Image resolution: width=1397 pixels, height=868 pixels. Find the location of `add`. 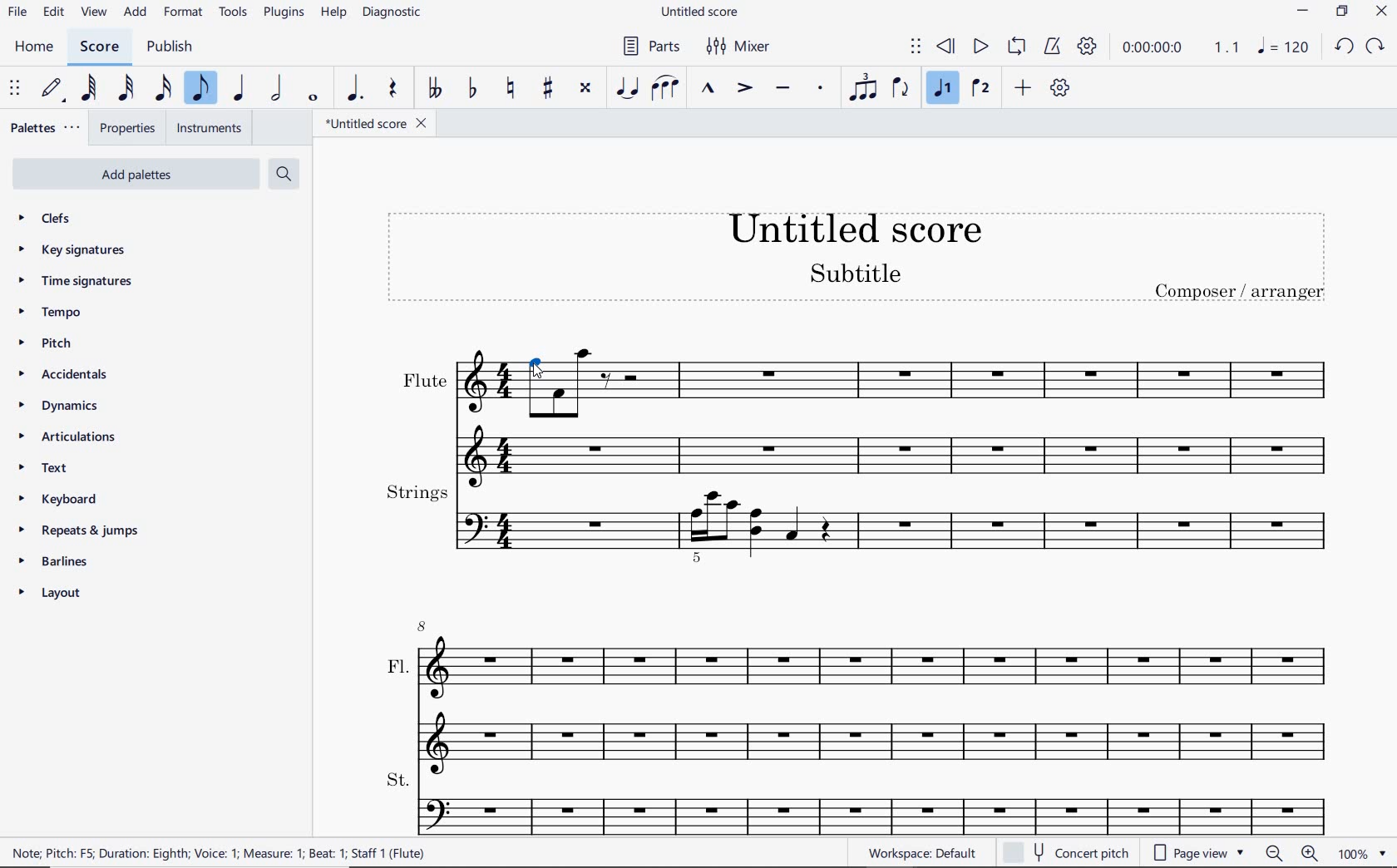

add is located at coordinates (136, 13).